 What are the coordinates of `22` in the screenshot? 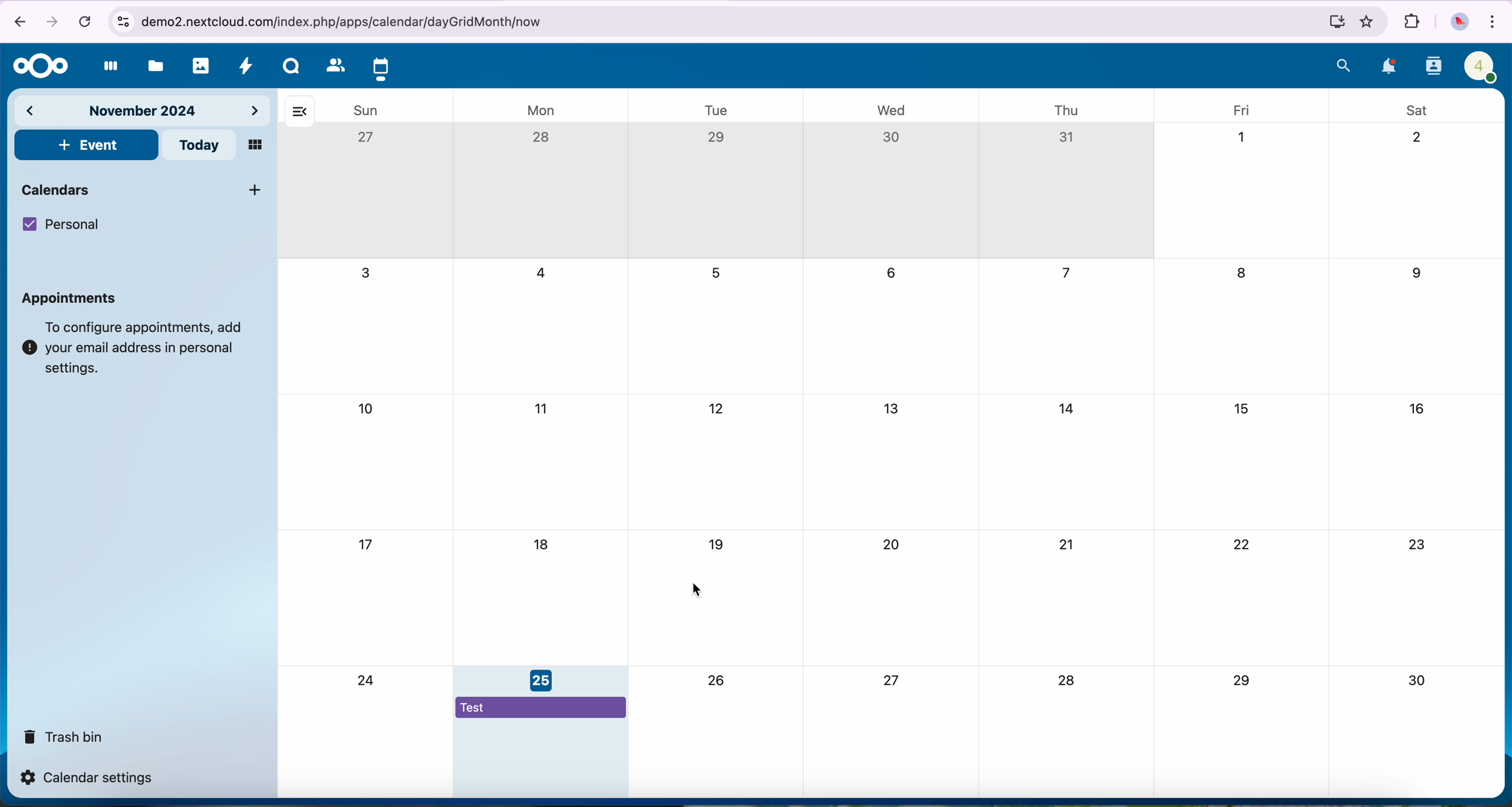 It's located at (1241, 544).